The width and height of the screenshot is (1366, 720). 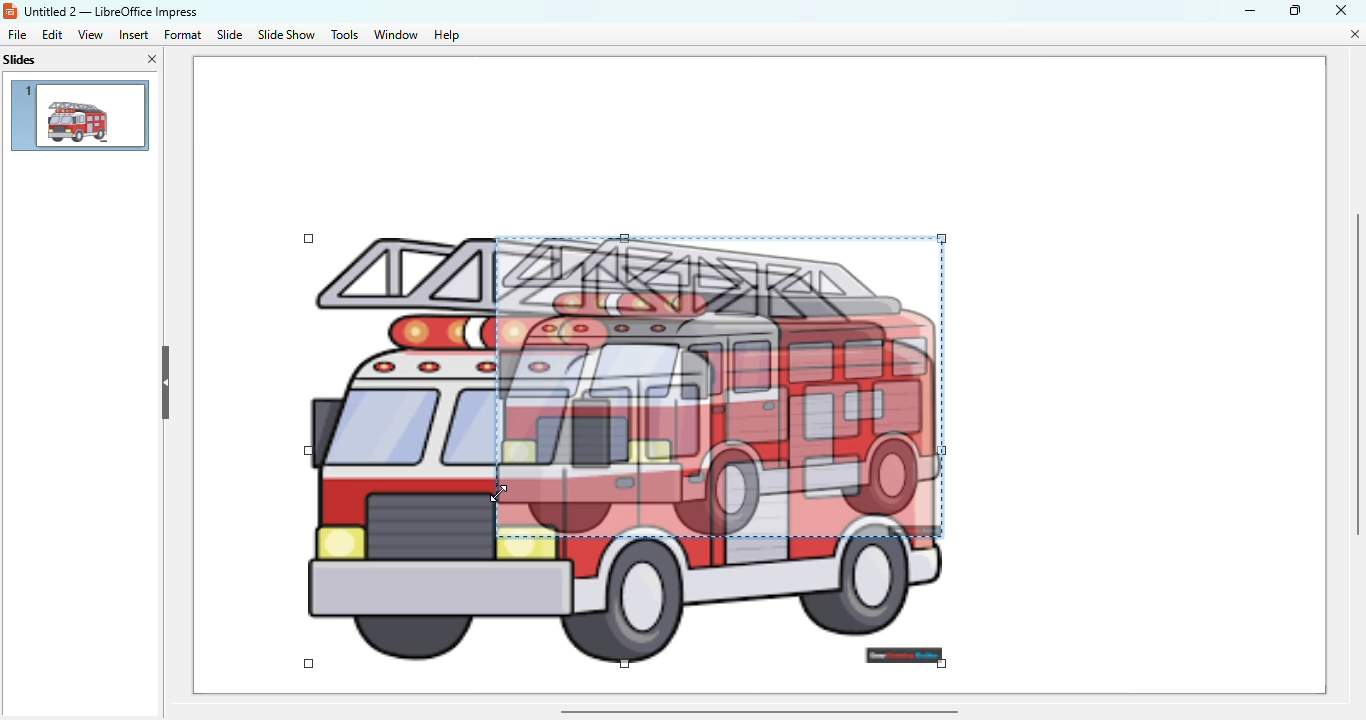 I want to click on file, so click(x=17, y=35).